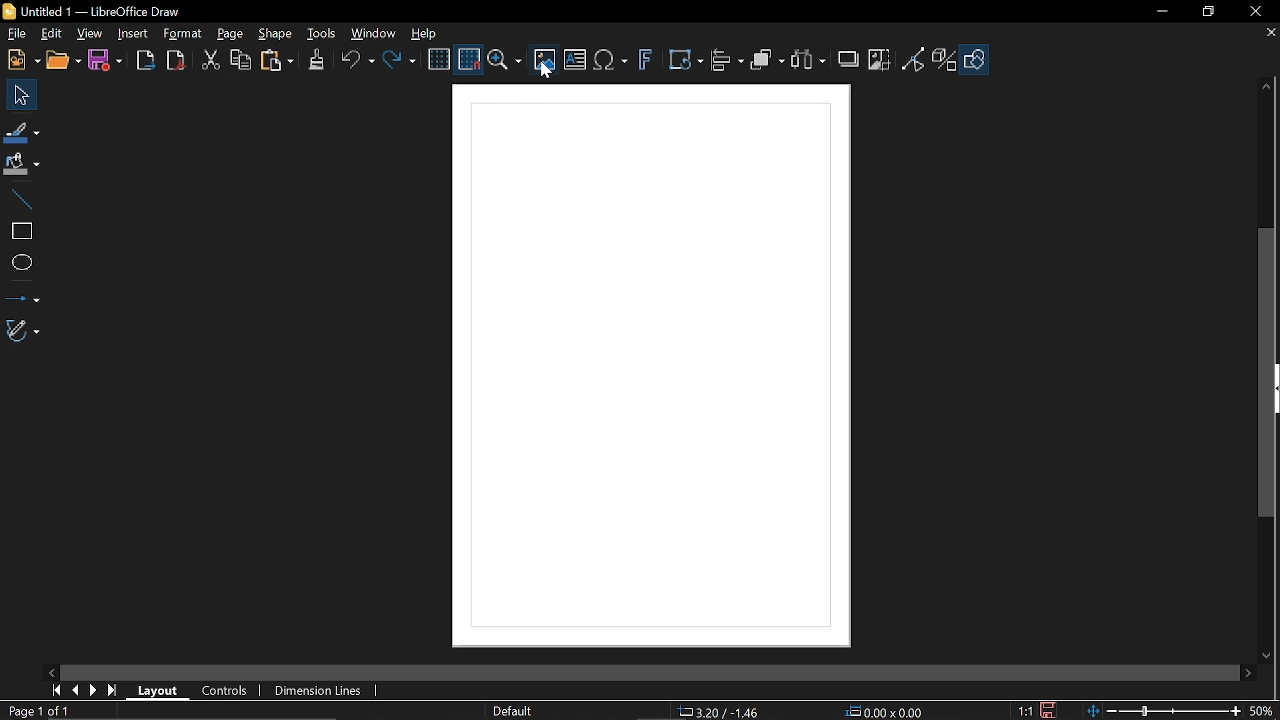  I want to click on Transformations, so click(687, 62).